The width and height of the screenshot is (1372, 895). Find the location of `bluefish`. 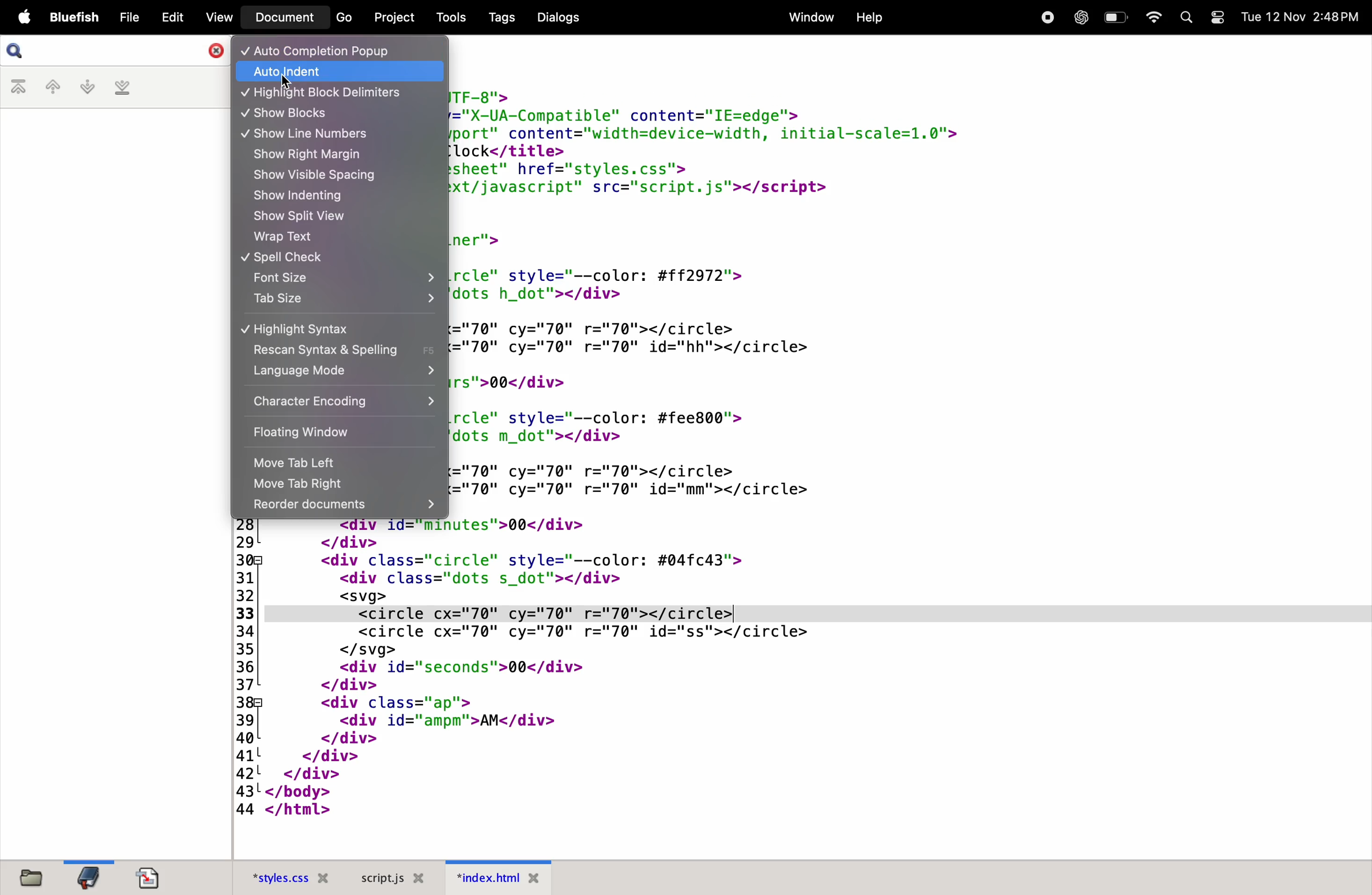

bluefish is located at coordinates (70, 17).